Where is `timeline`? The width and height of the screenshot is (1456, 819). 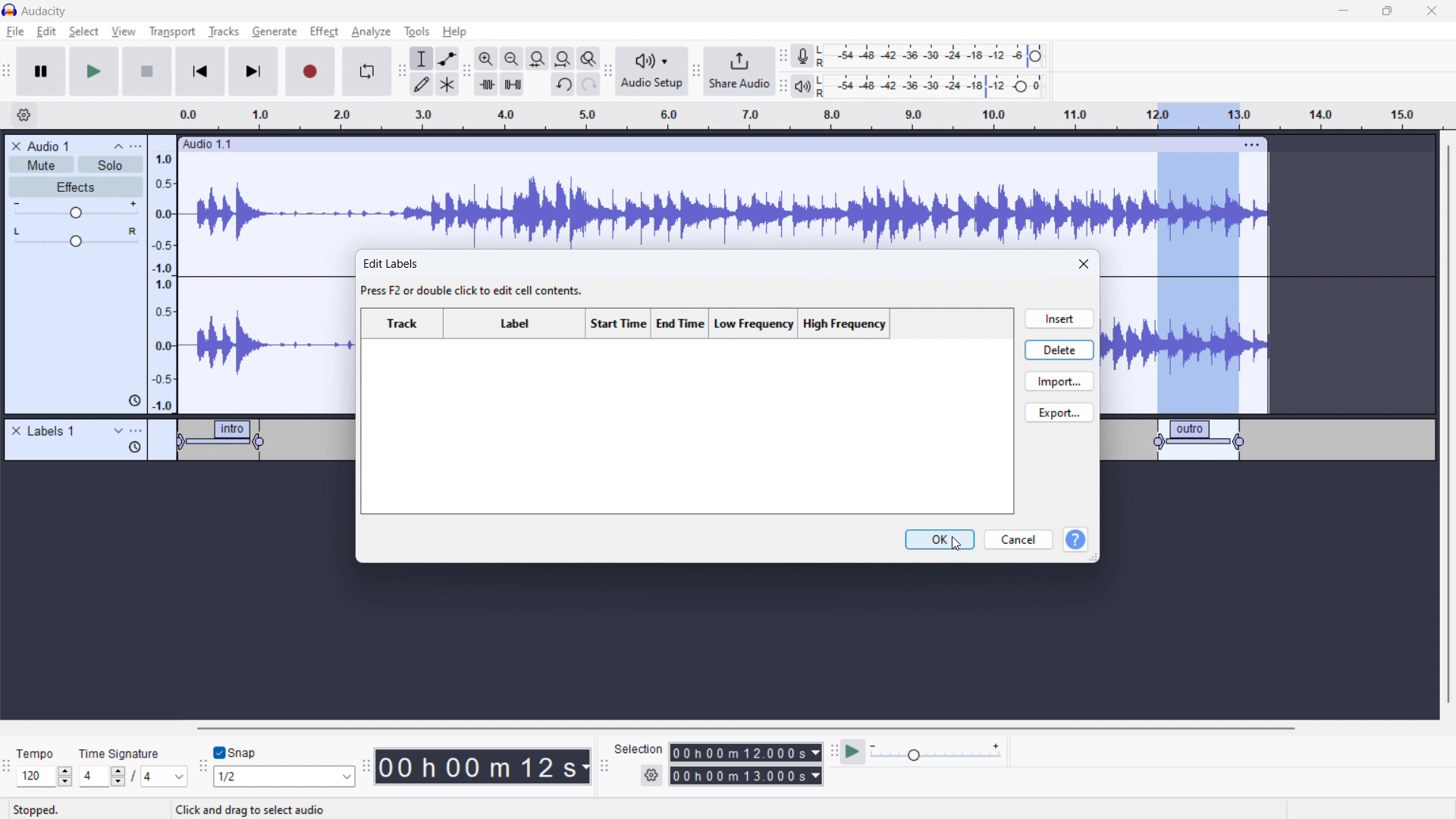 timeline is located at coordinates (839, 116).